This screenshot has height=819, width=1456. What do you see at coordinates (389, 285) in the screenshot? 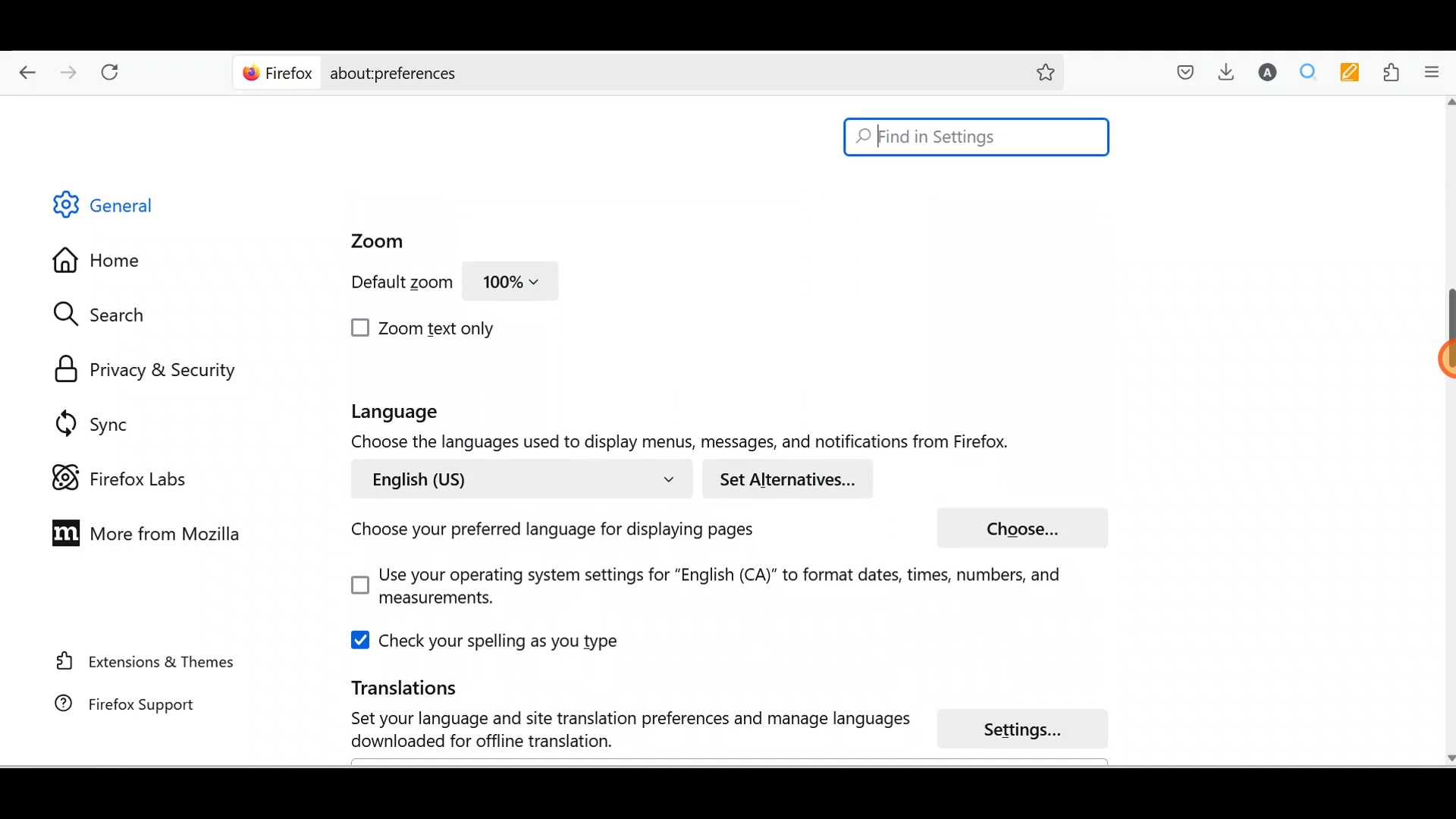
I see `Default zoom` at bounding box center [389, 285].